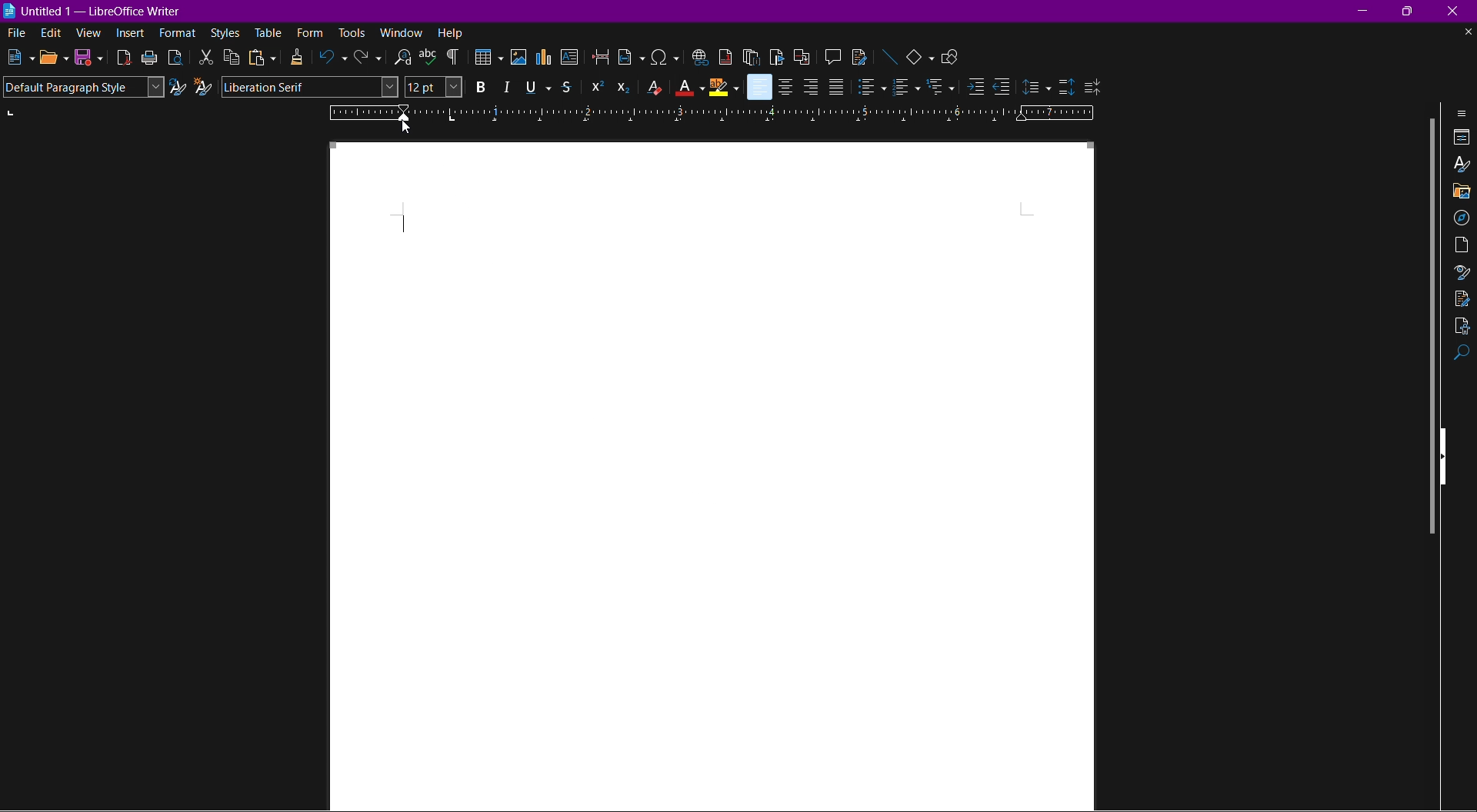  Describe the element at coordinates (776, 56) in the screenshot. I see `Insert Bookmark` at that location.